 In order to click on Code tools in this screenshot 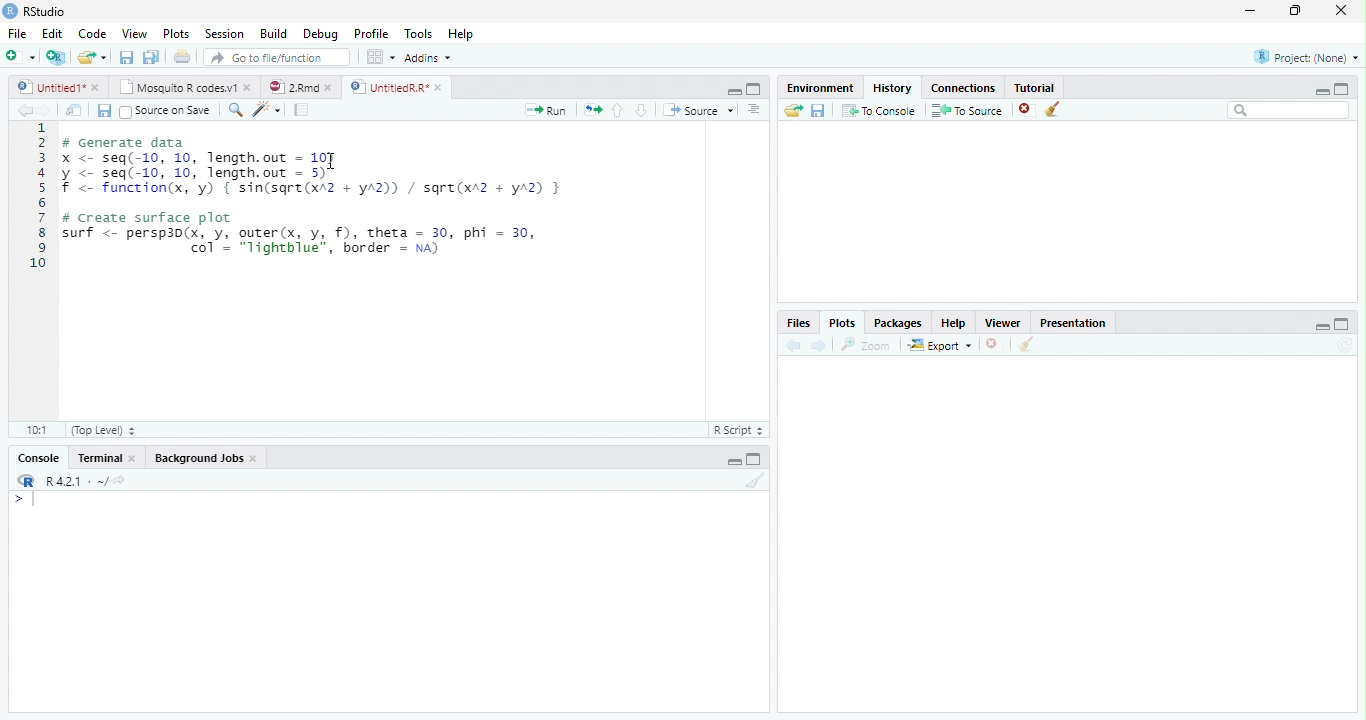, I will do `click(267, 109)`.